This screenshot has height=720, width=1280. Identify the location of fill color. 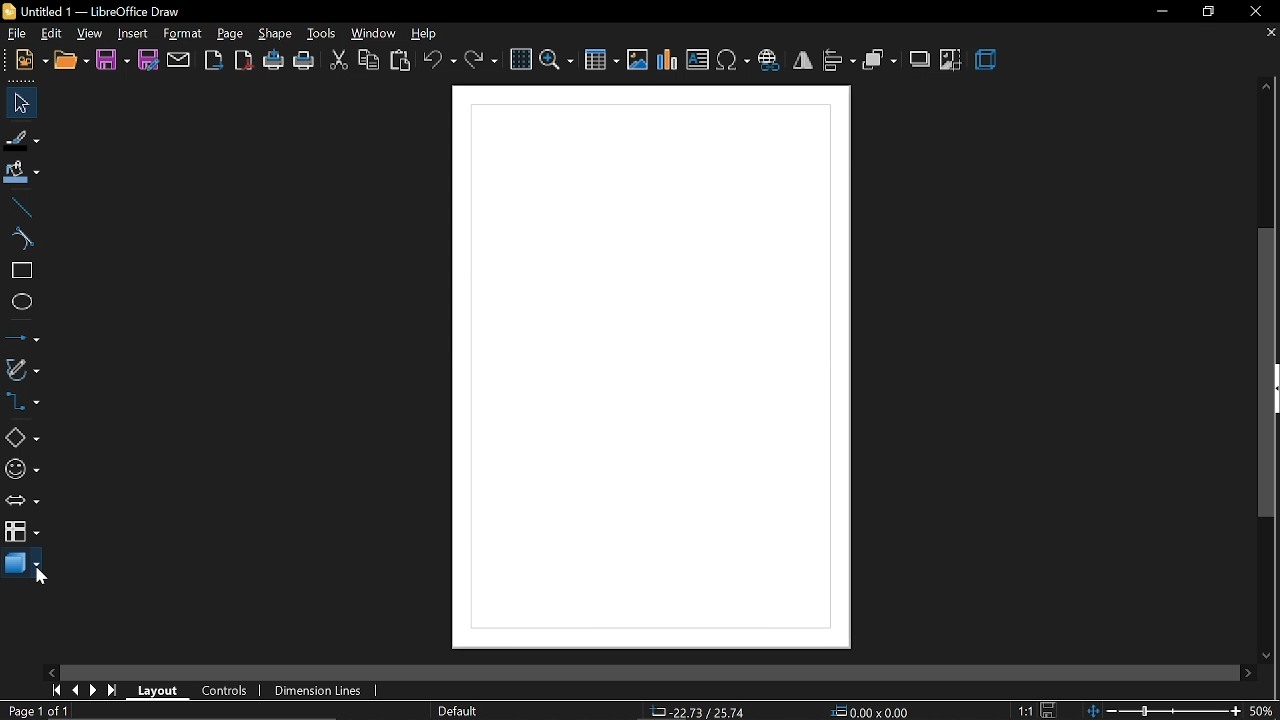
(21, 174).